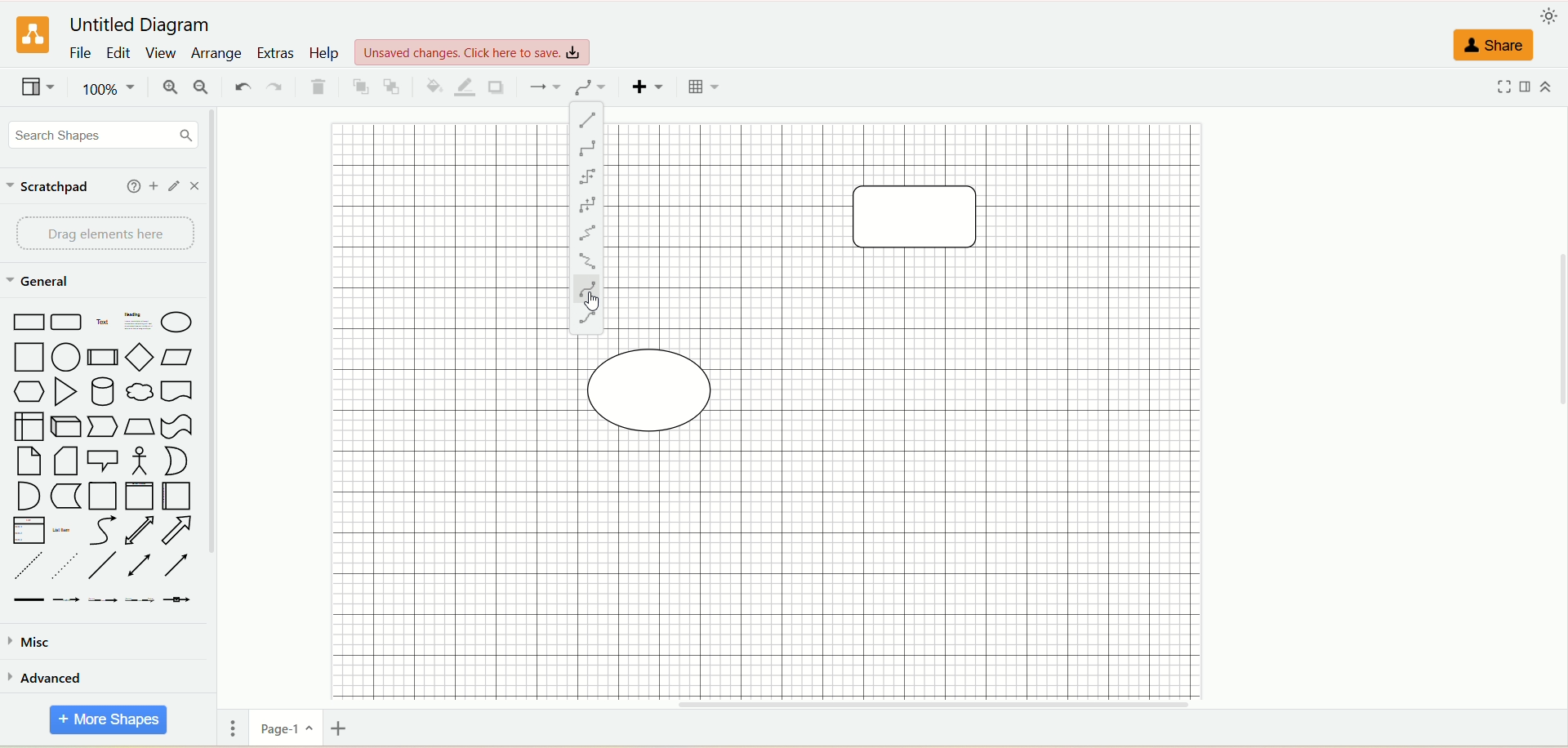  Describe the element at coordinates (595, 304) in the screenshot. I see `cursor` at that location.